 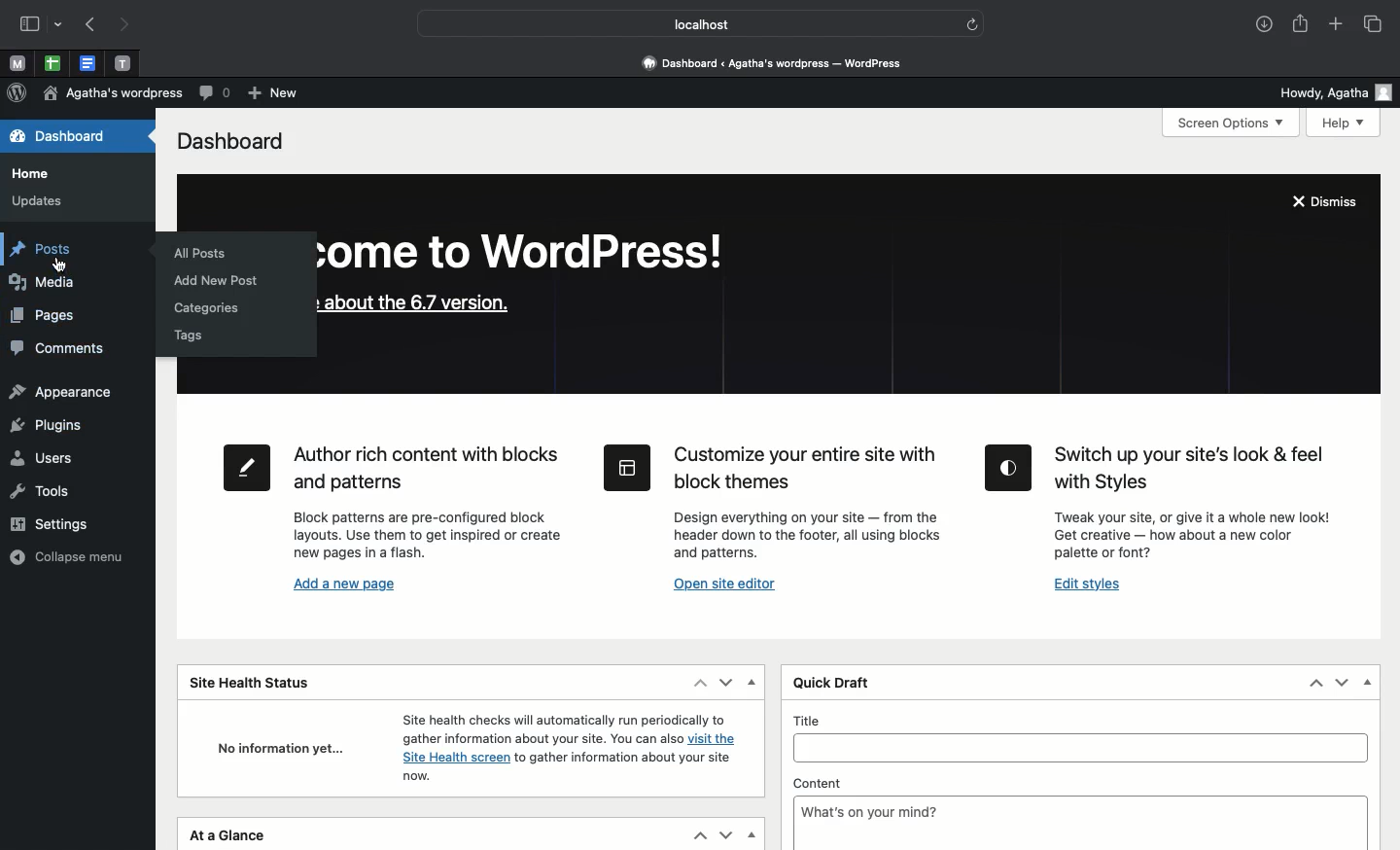 What do you see at coordinates (452, 758) in the screenshot?
I see `Site health screen` at bounding box center [452, 758].